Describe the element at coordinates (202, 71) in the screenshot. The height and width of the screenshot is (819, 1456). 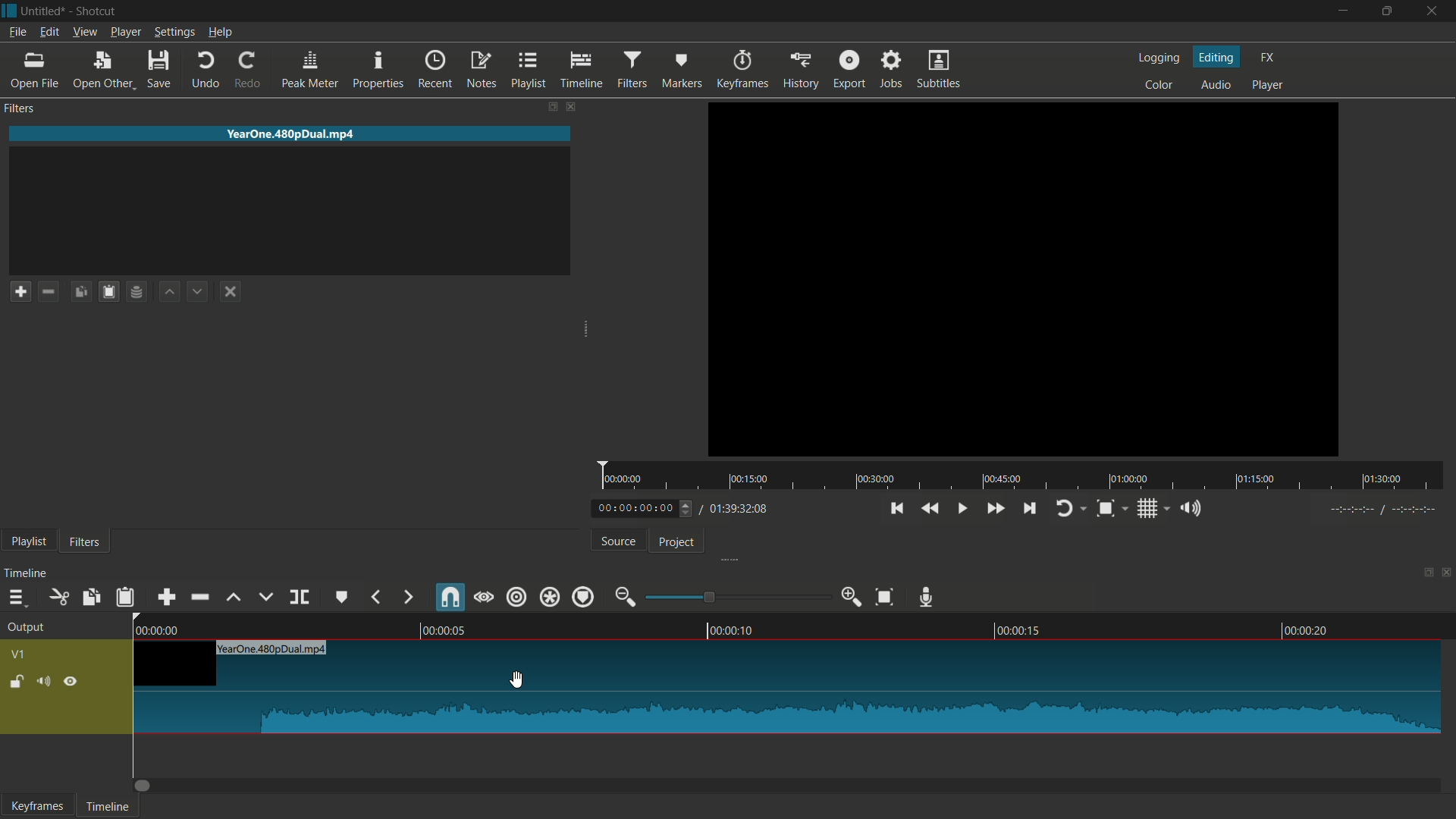
I see `undo` at that location.